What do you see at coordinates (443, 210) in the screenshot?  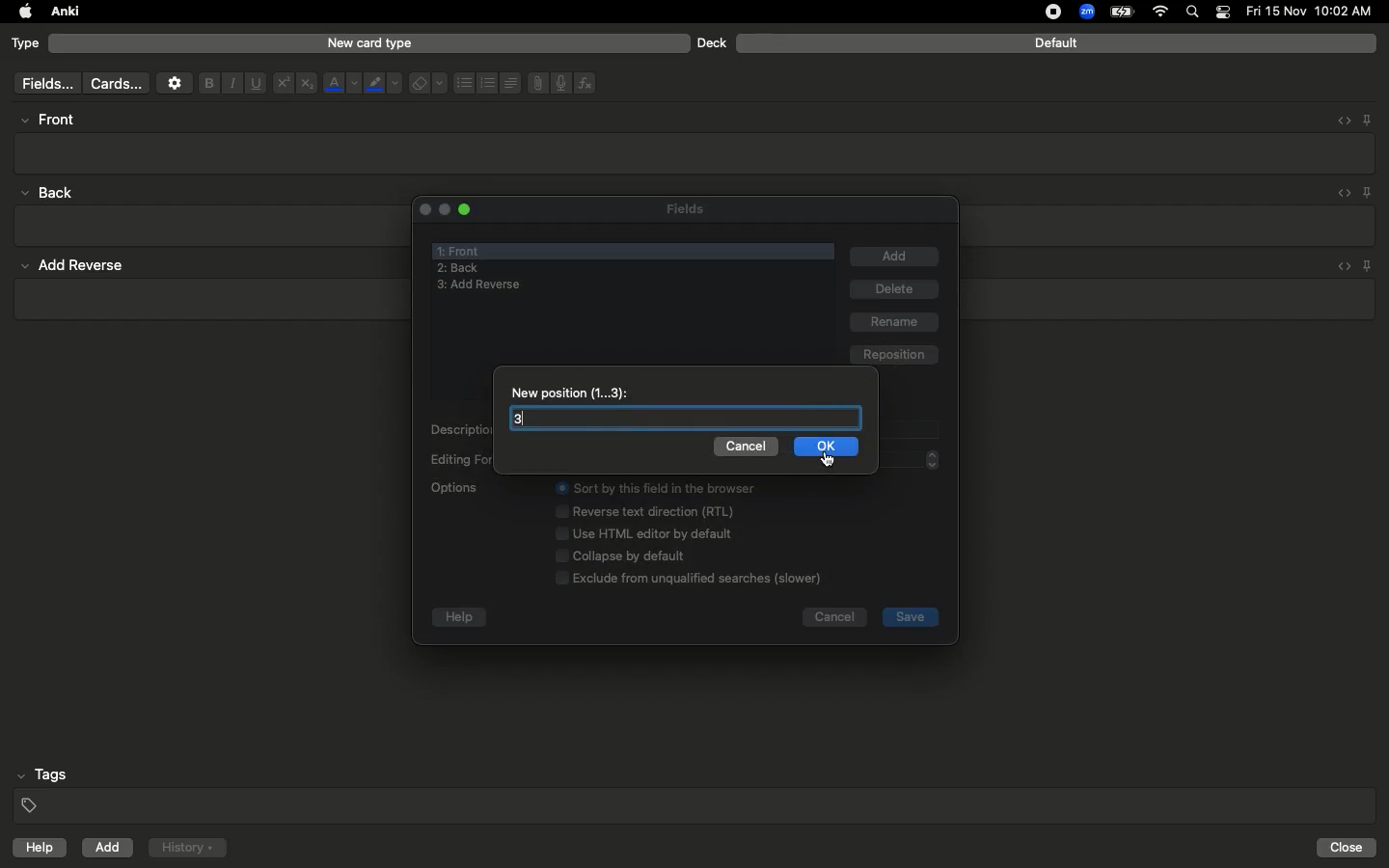 I see `minimize` at bounding box center [443, 210].